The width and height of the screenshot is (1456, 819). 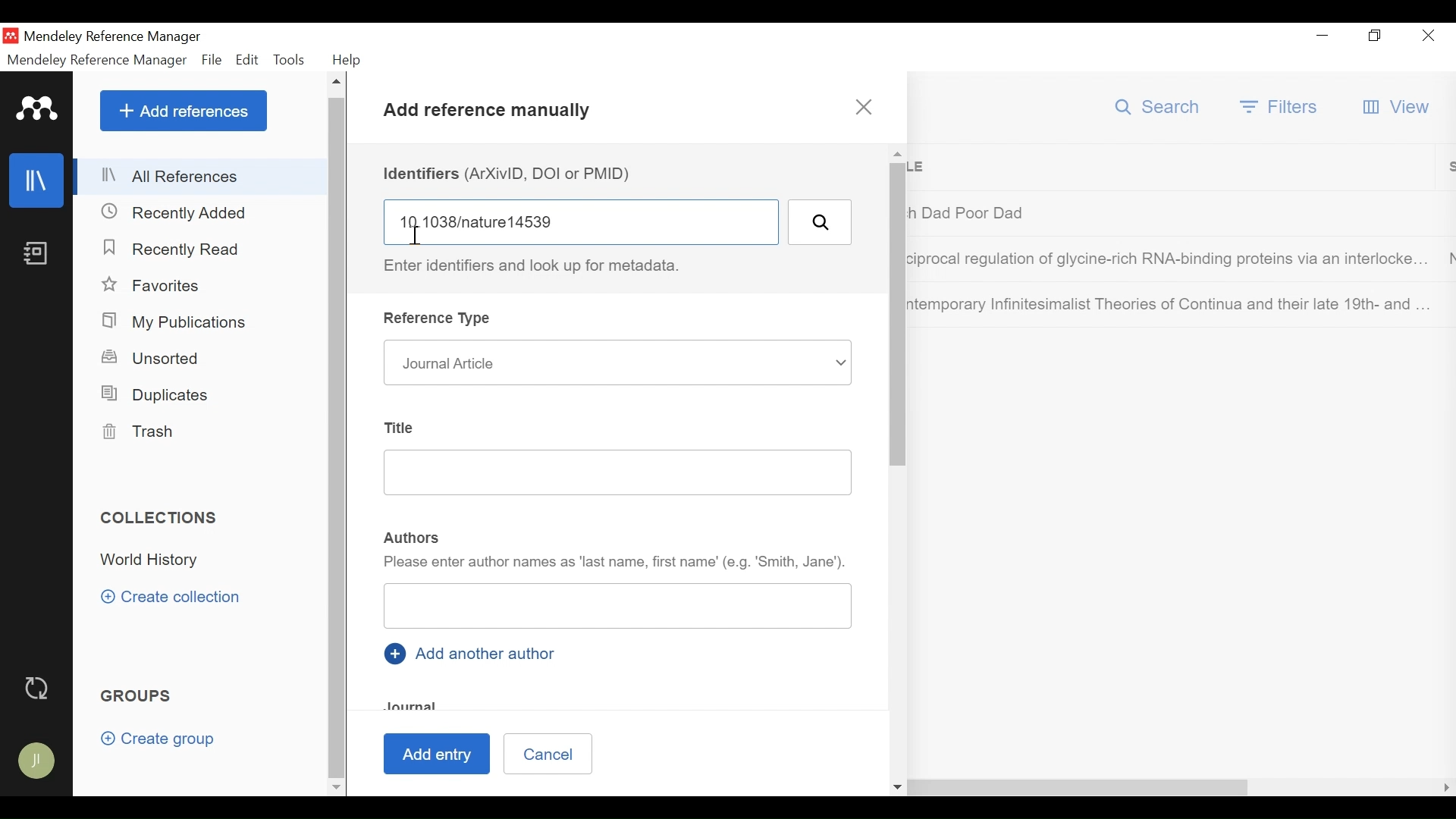 I want to click on minimize, so click(x=1323, y=36).